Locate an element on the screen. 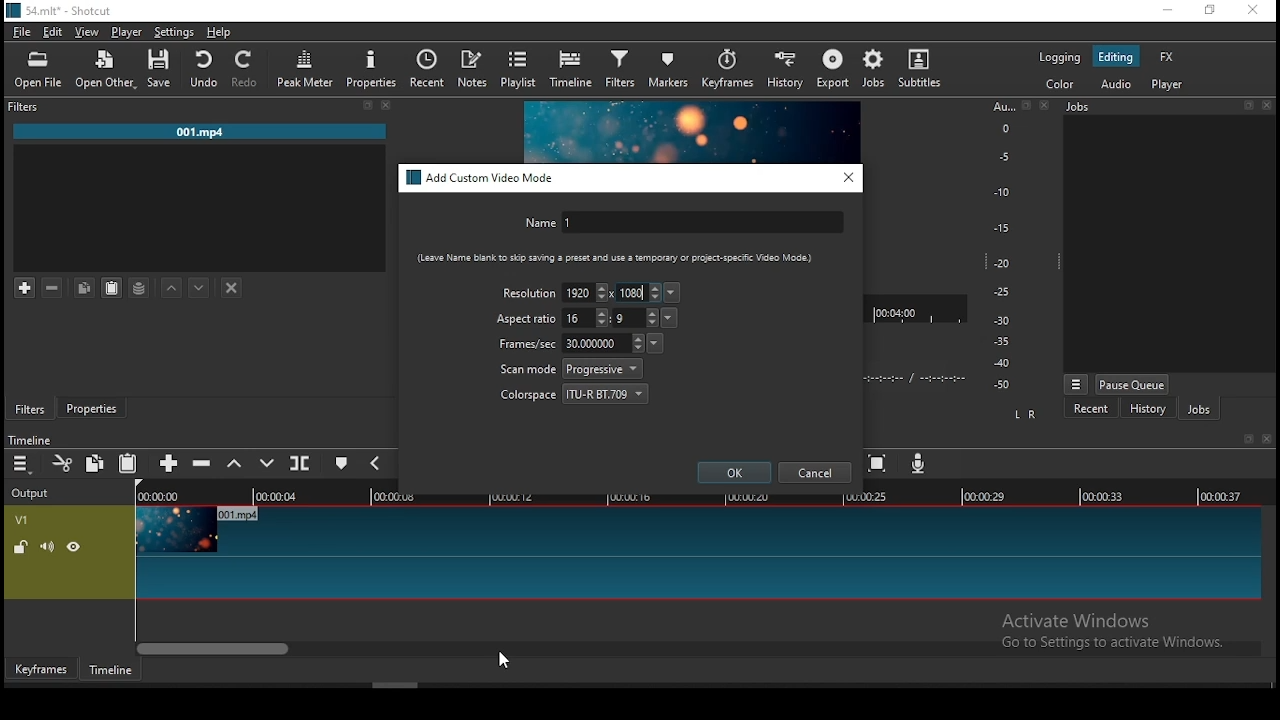  hide video track is located at coordinates (74, 545).